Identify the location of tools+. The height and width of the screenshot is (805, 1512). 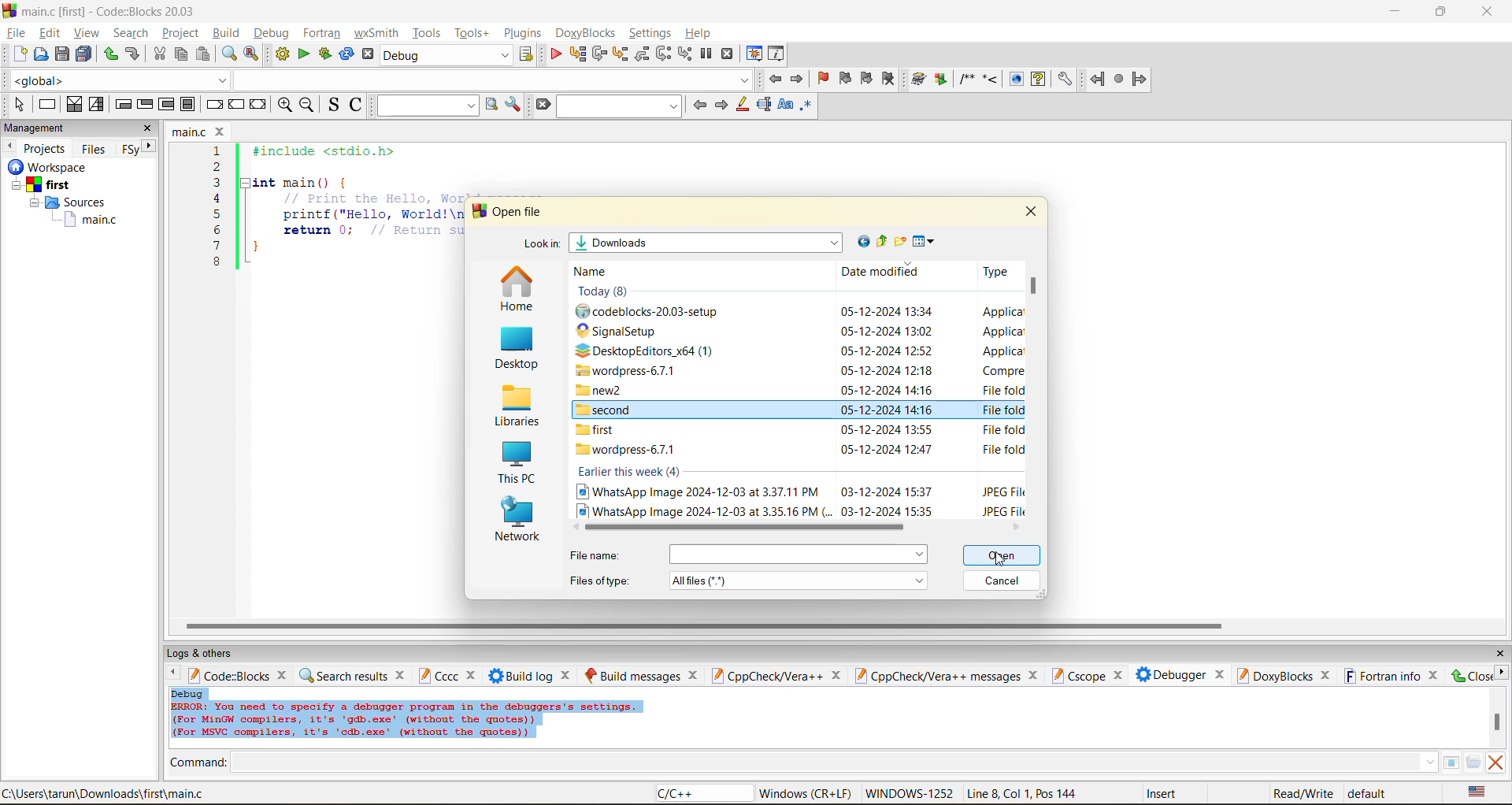
(472, 33).